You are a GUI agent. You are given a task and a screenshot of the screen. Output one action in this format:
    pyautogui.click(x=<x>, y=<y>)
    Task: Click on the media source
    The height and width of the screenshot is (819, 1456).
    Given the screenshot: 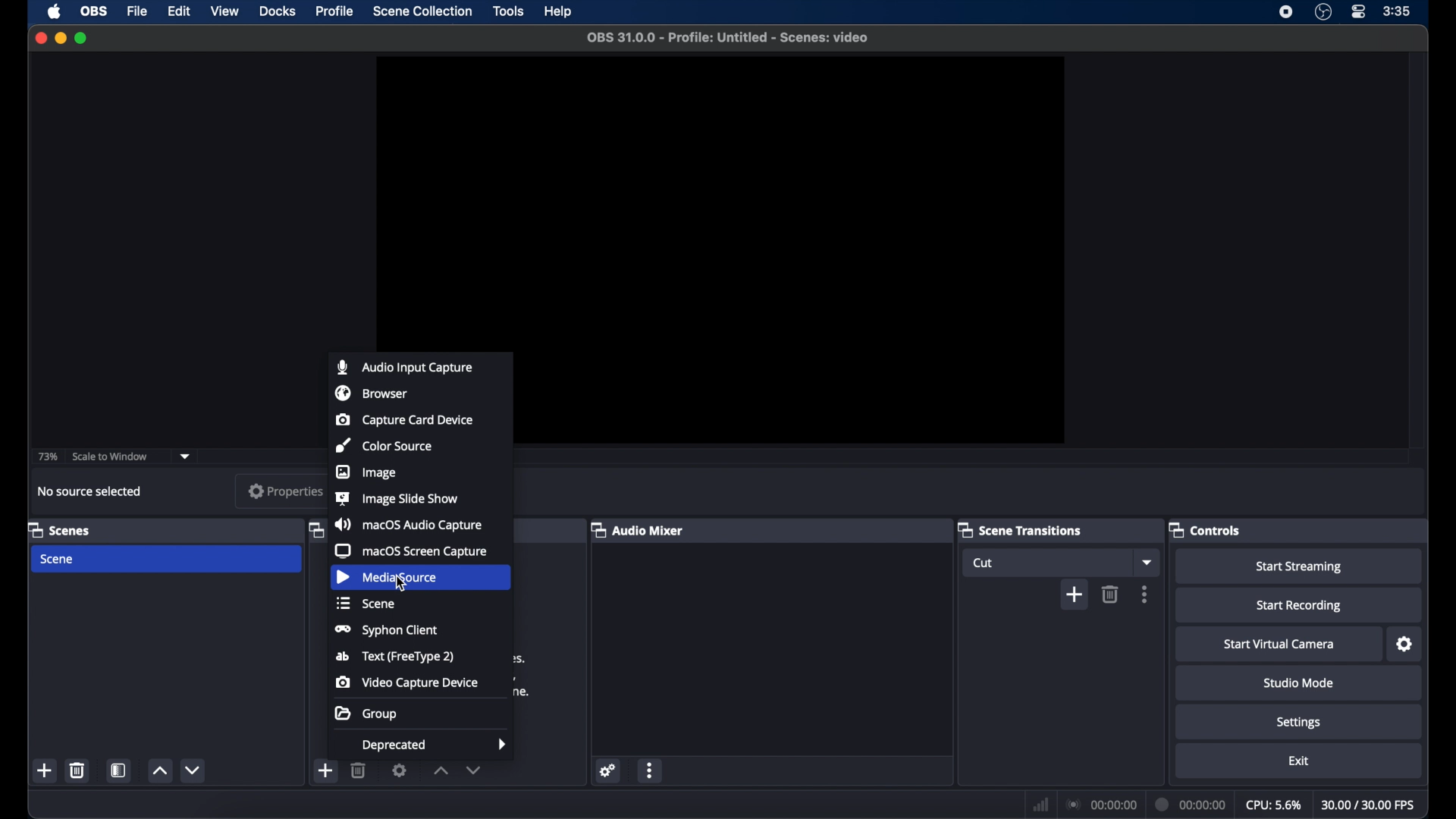 What is the action you would take?
    pyautogui.click(x=387, y=578)
    